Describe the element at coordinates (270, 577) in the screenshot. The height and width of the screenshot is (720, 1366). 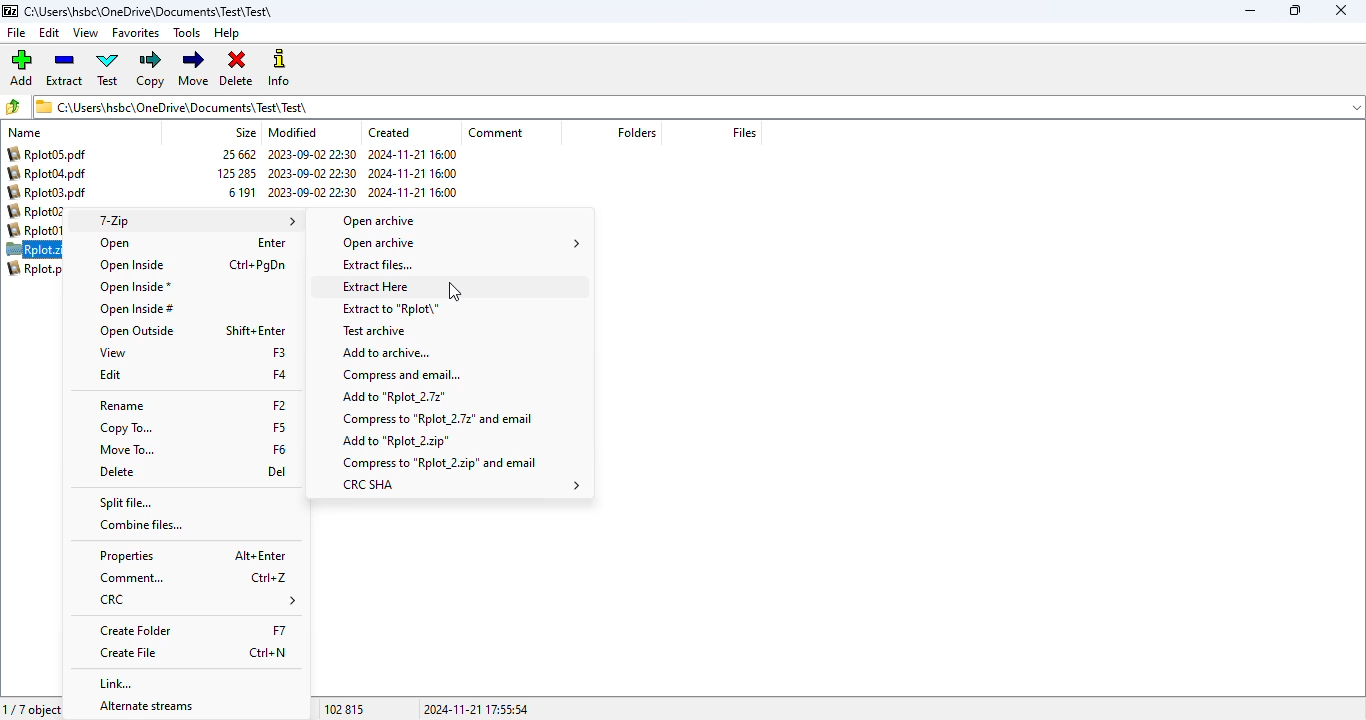
I see `Ctrl+Z` at that location.